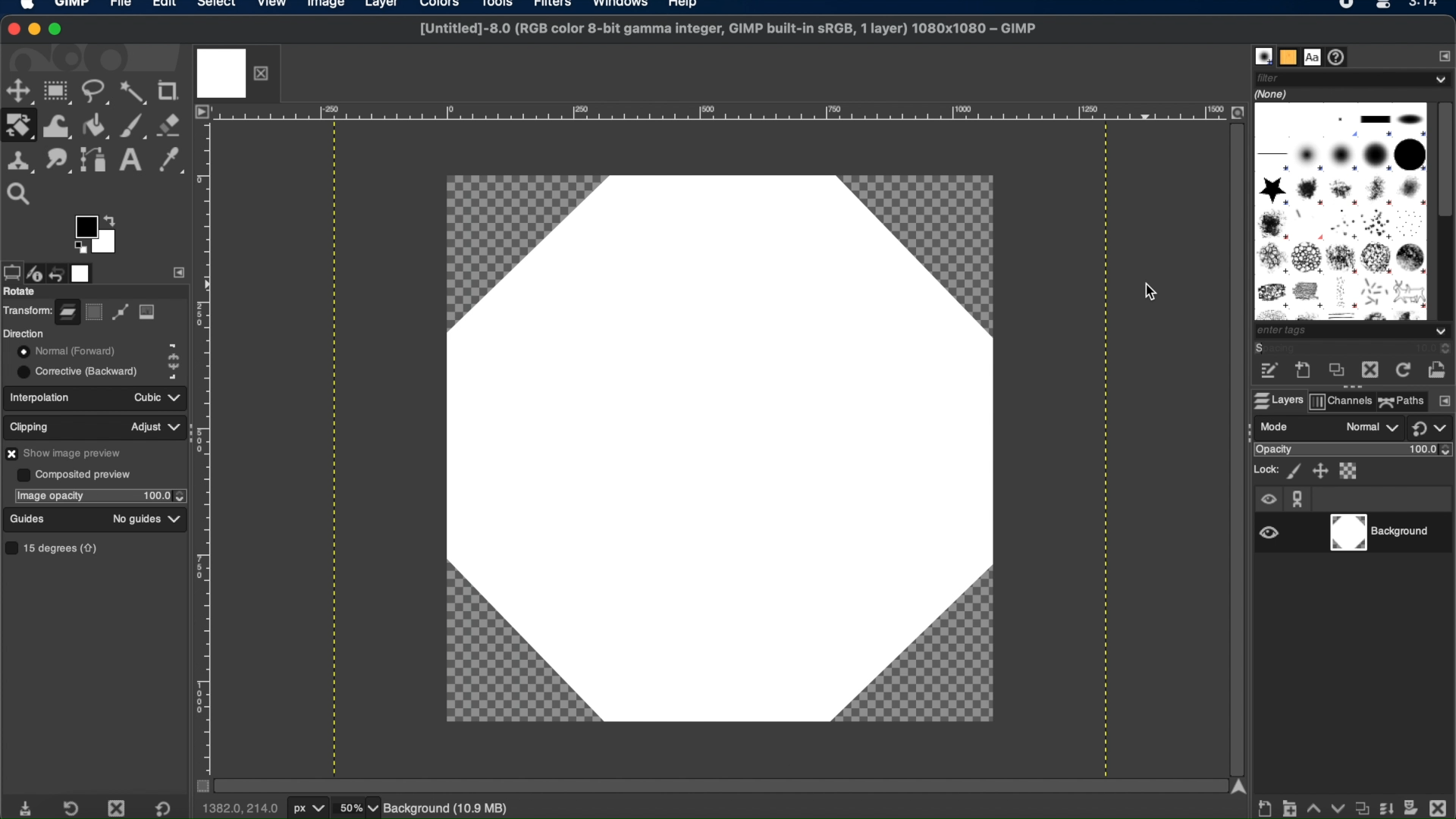 The image size is (1456, 819). Describe the element at coordinates (1380, 7) in the screenshot. I see `Mac control center` at that location.